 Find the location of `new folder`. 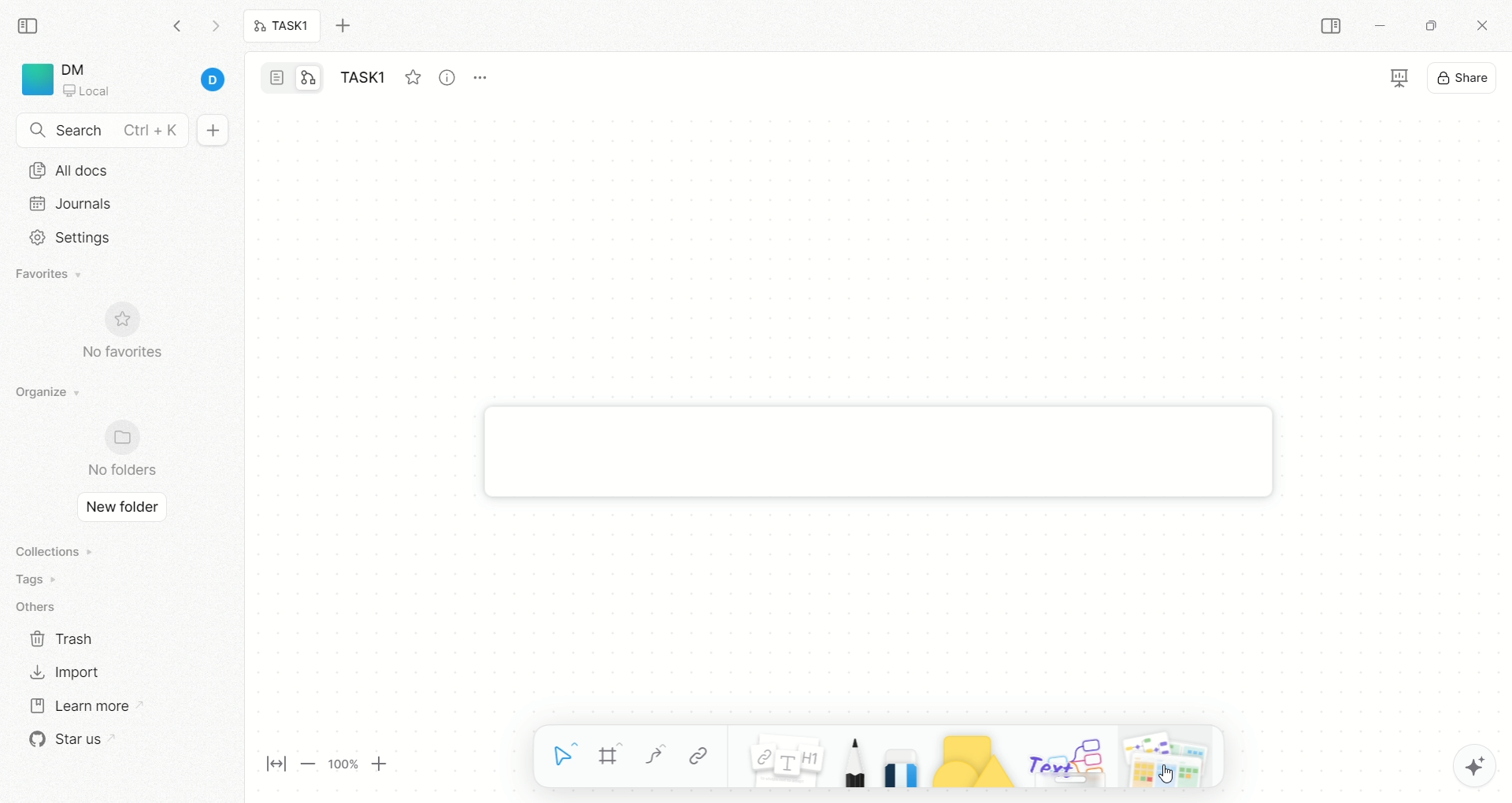

new folder is located at coordinates (117, 509).